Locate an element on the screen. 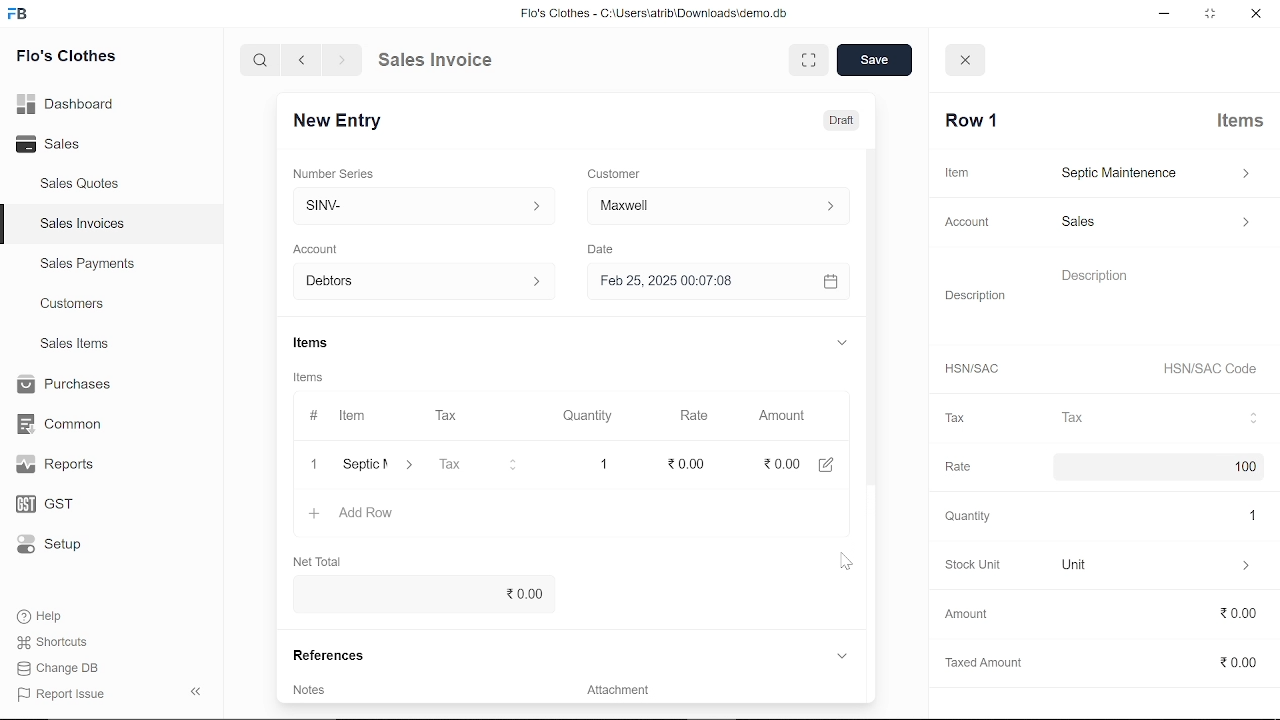 This screenshot has height=720, width=1280. 1 is located at coordinates (1243, 515).